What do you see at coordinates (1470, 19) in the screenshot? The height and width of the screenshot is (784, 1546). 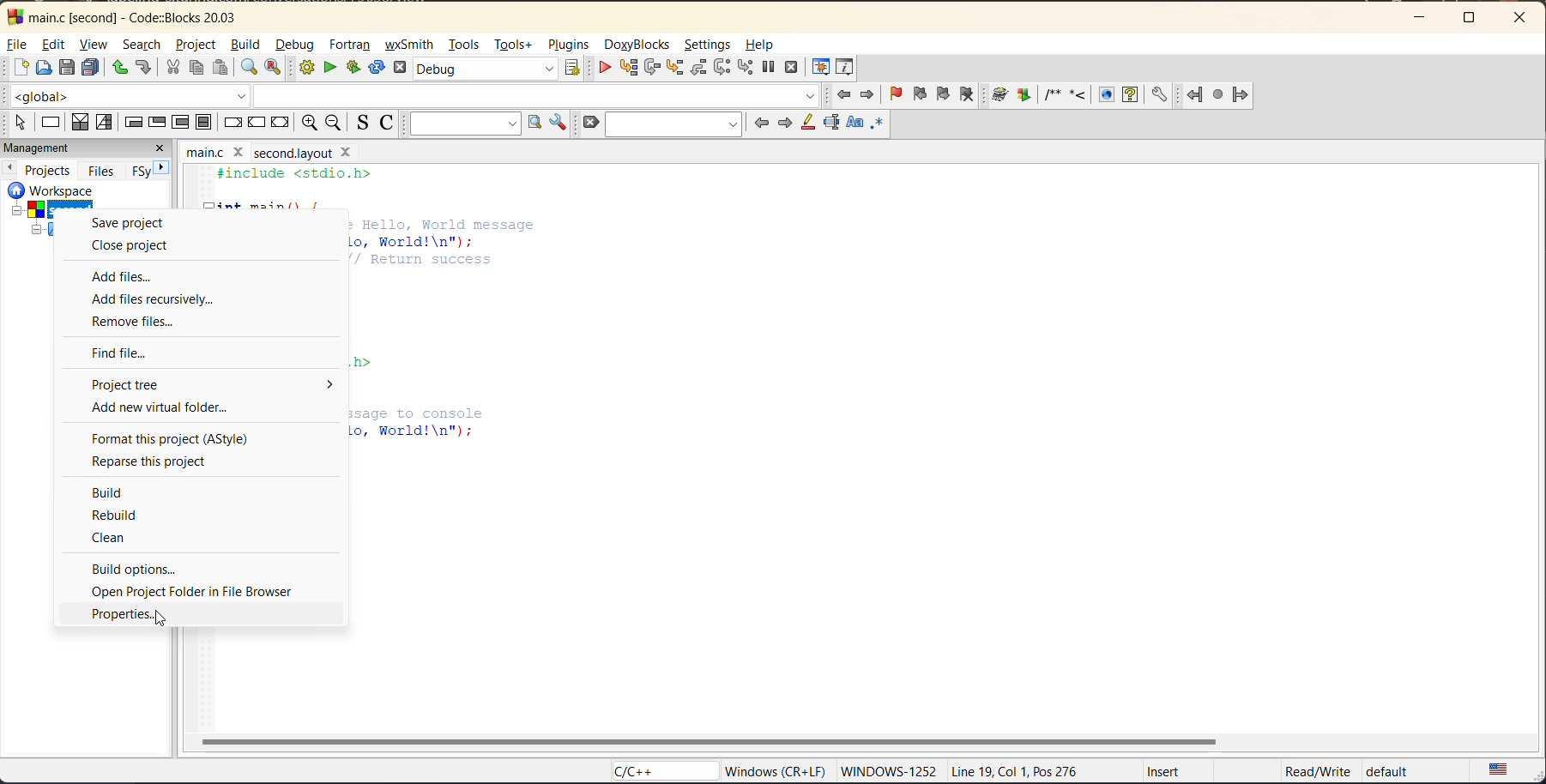 I see `maximize` at bounding box center [1470, 19].